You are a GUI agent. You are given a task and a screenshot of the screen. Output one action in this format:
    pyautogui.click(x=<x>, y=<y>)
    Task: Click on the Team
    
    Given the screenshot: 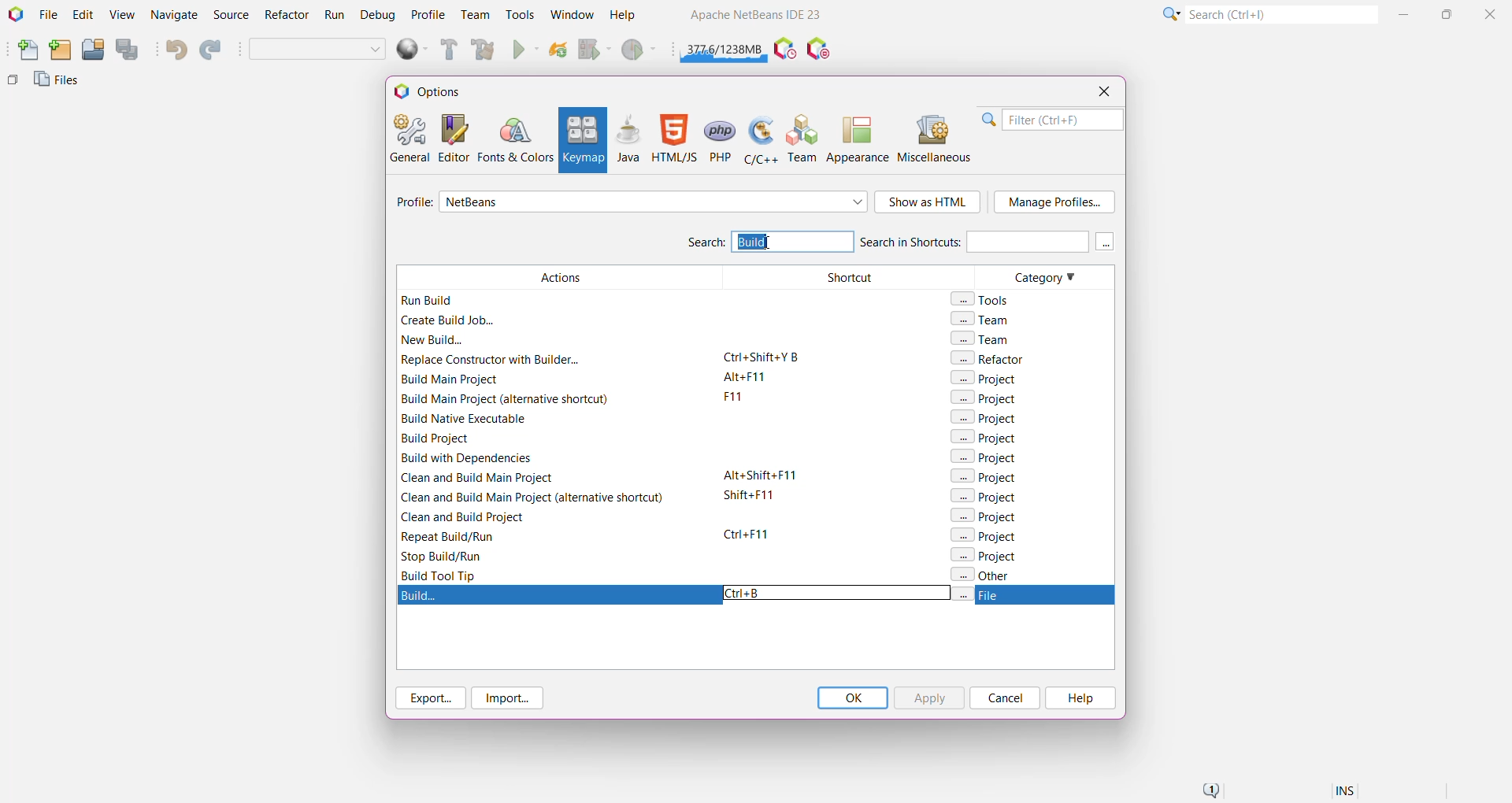 What is the action you would take?
    pyautogui.click(x=803, y=139)
    